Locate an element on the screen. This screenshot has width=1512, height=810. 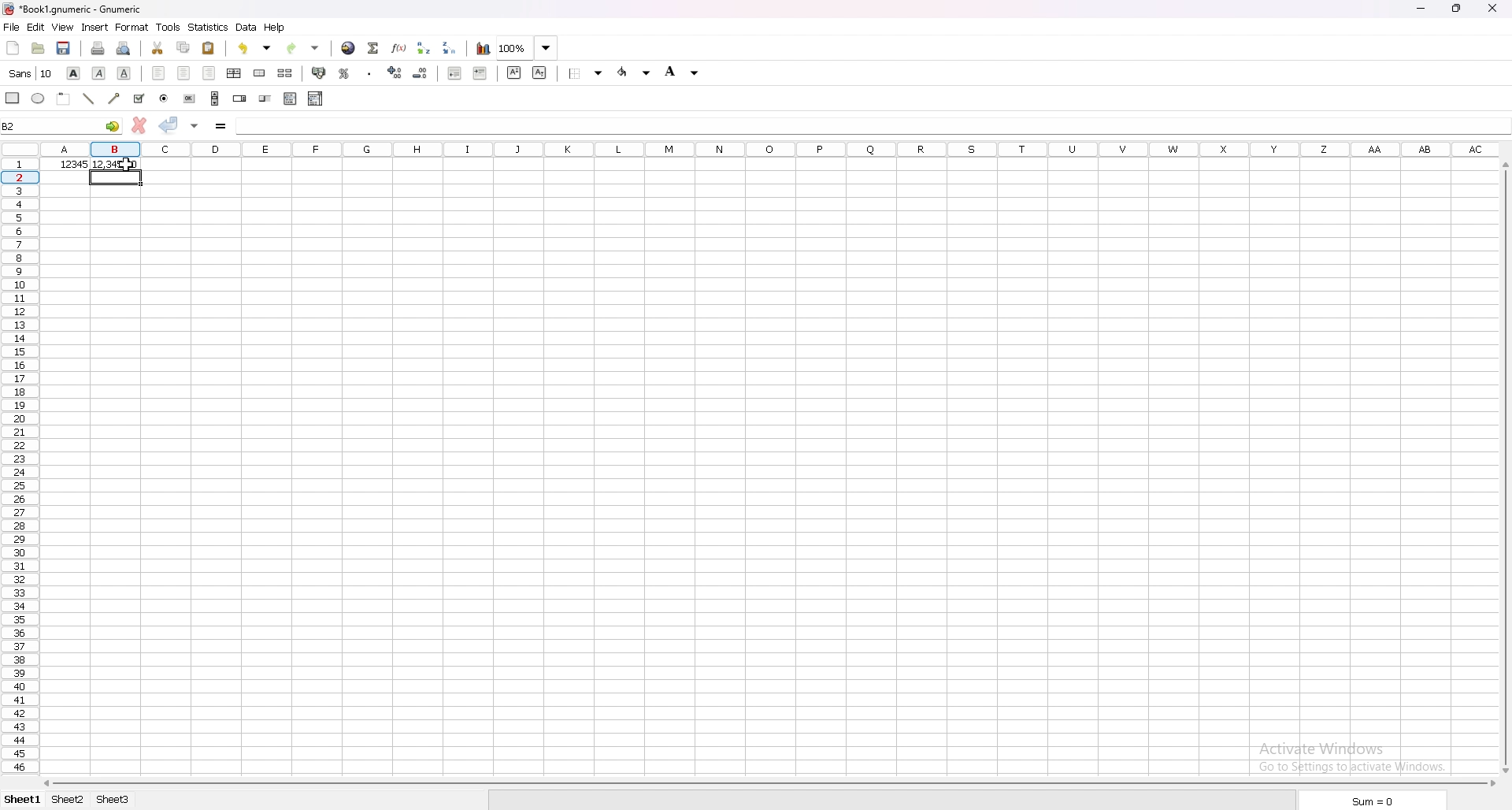
sheet3 is located at coordinates (117, 801).